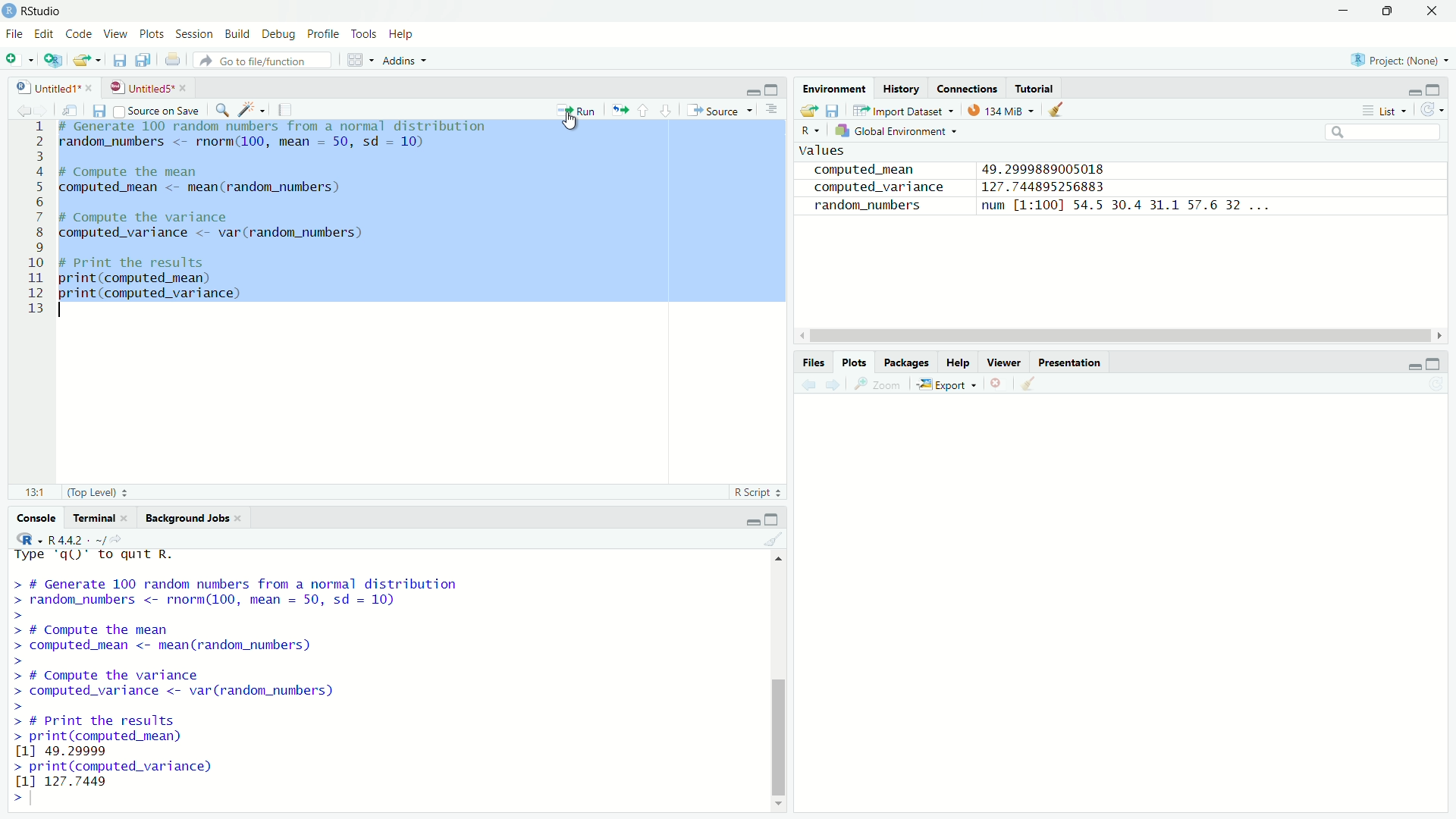 Image resolution: width=1456 pixels, height=819 pixels. Describe the element at coordinates (836, 386) in the screenshot. I see `next plot` at that location.